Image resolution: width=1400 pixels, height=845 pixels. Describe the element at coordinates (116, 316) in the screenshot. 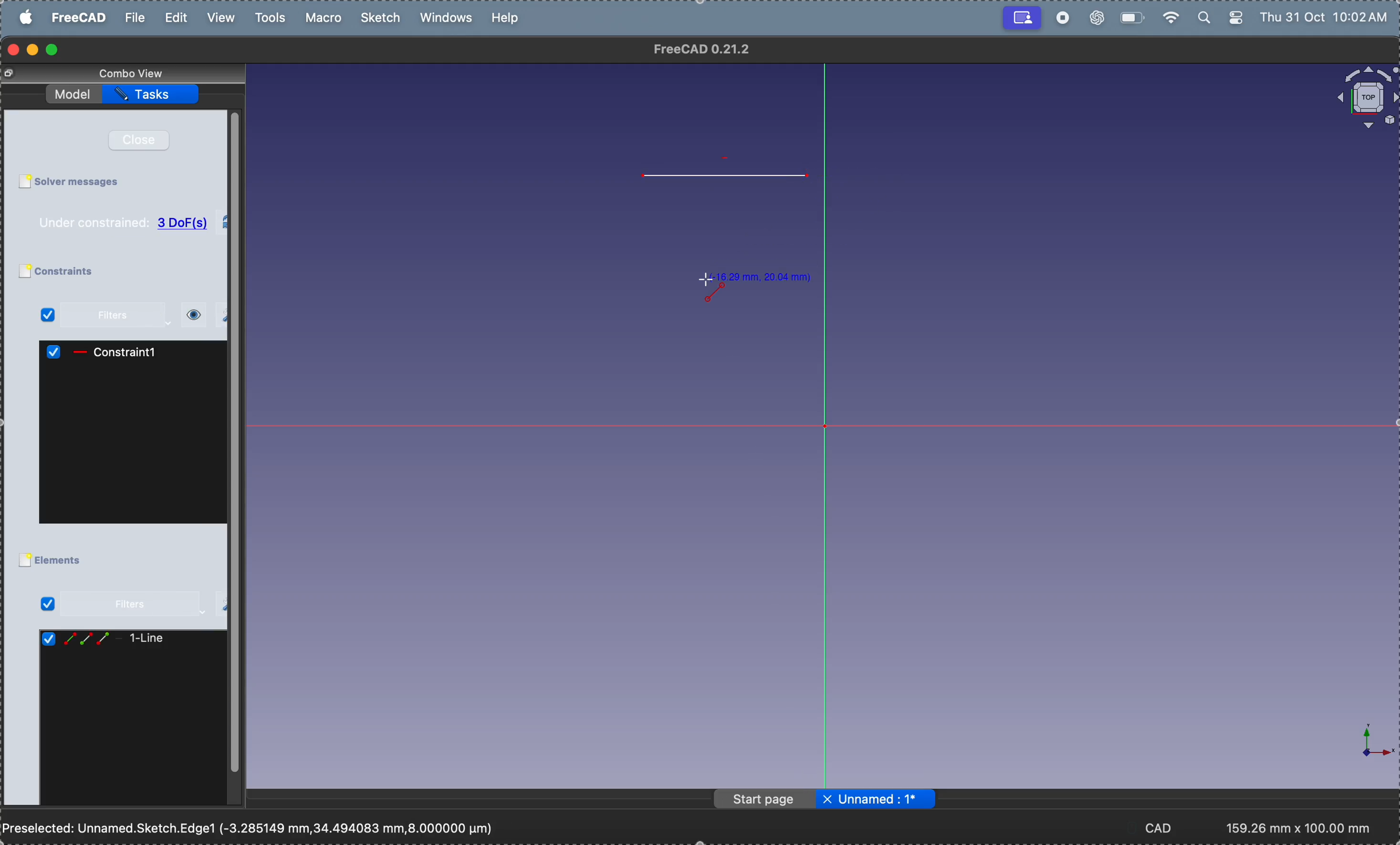

I see `filters` at that location.